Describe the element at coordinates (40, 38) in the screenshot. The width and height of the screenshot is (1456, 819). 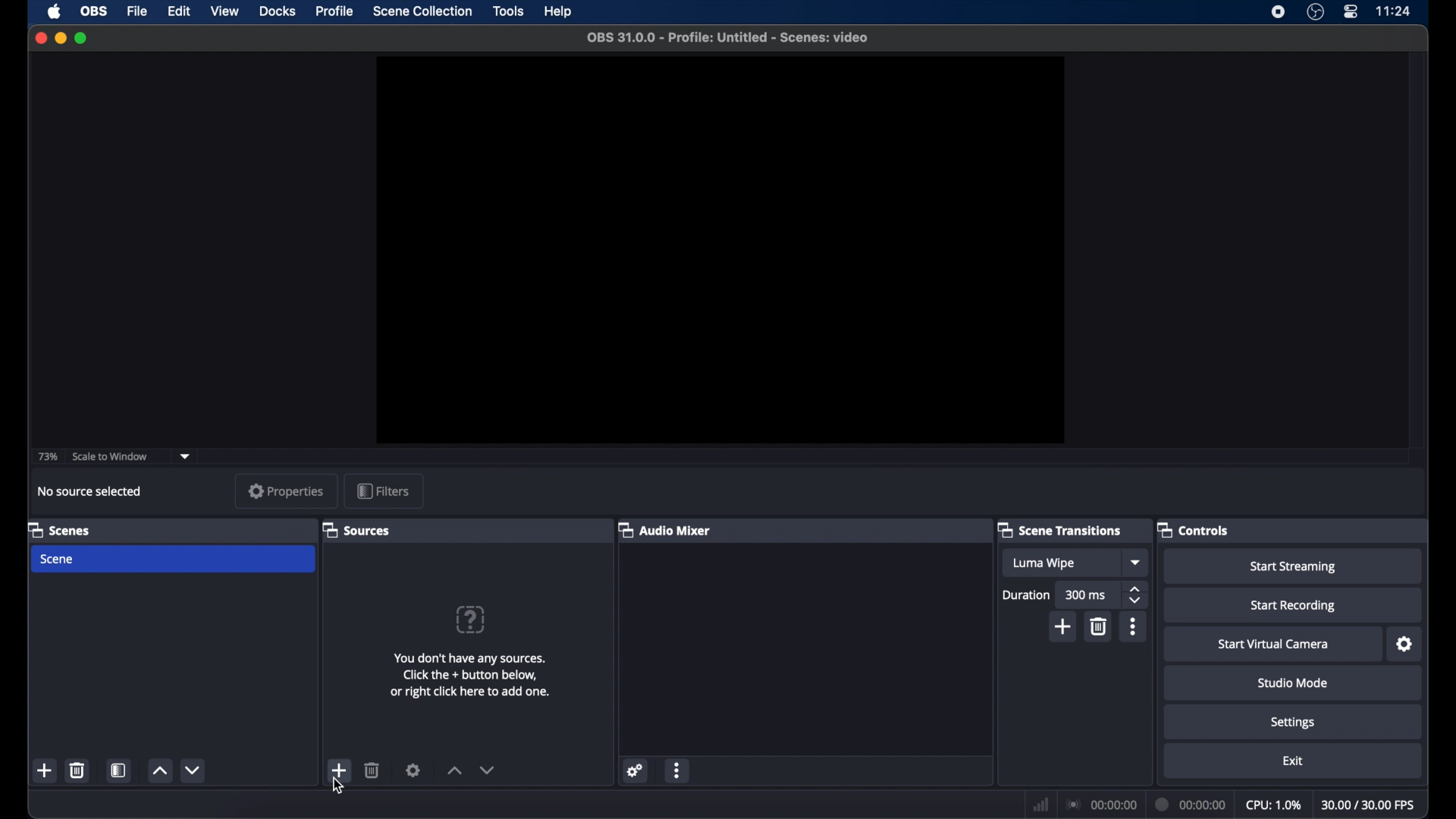
I see `close` at that location.